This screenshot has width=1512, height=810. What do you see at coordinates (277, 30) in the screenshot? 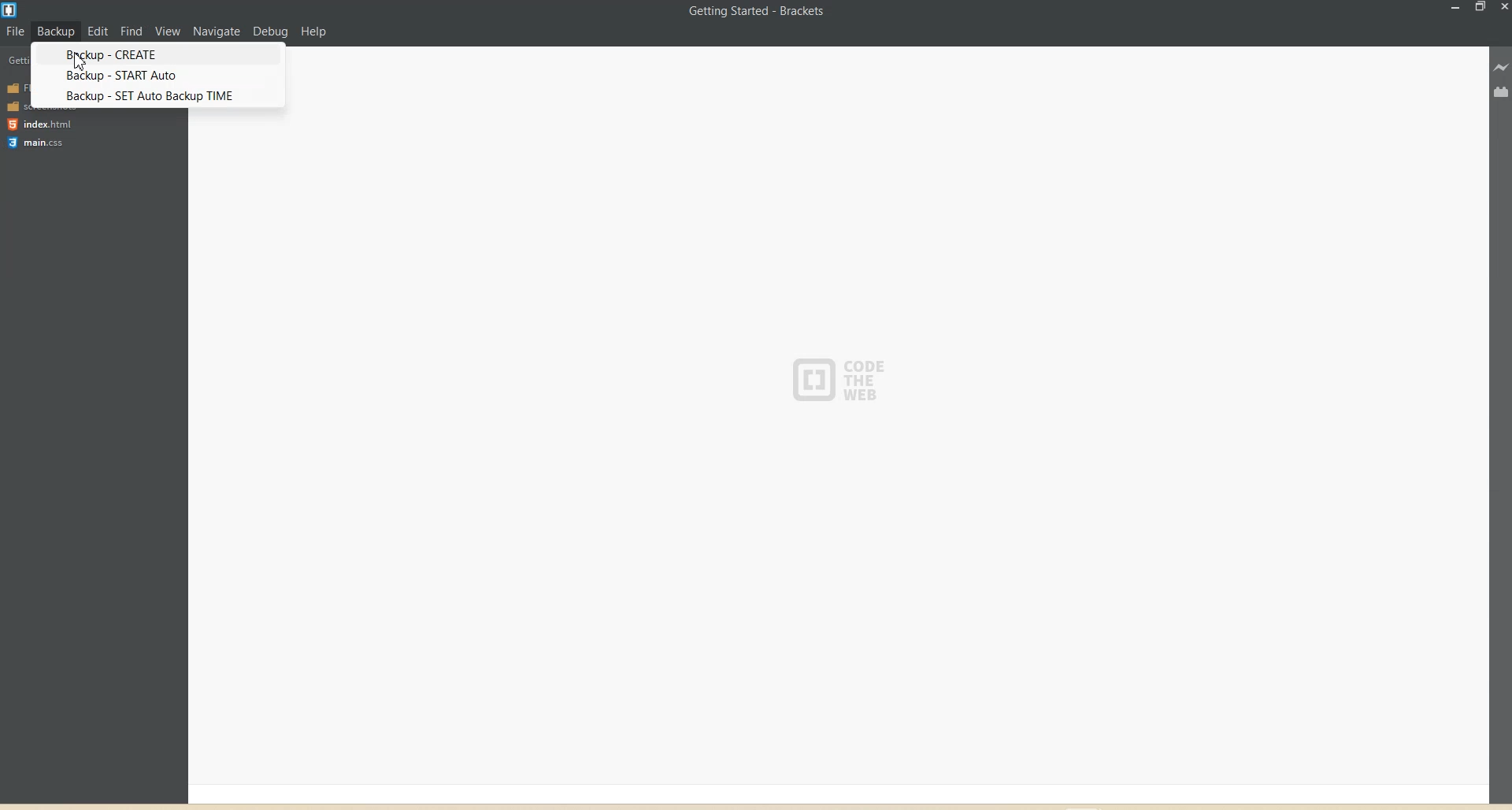
I see `Debug` at bounding box center [277, 30].